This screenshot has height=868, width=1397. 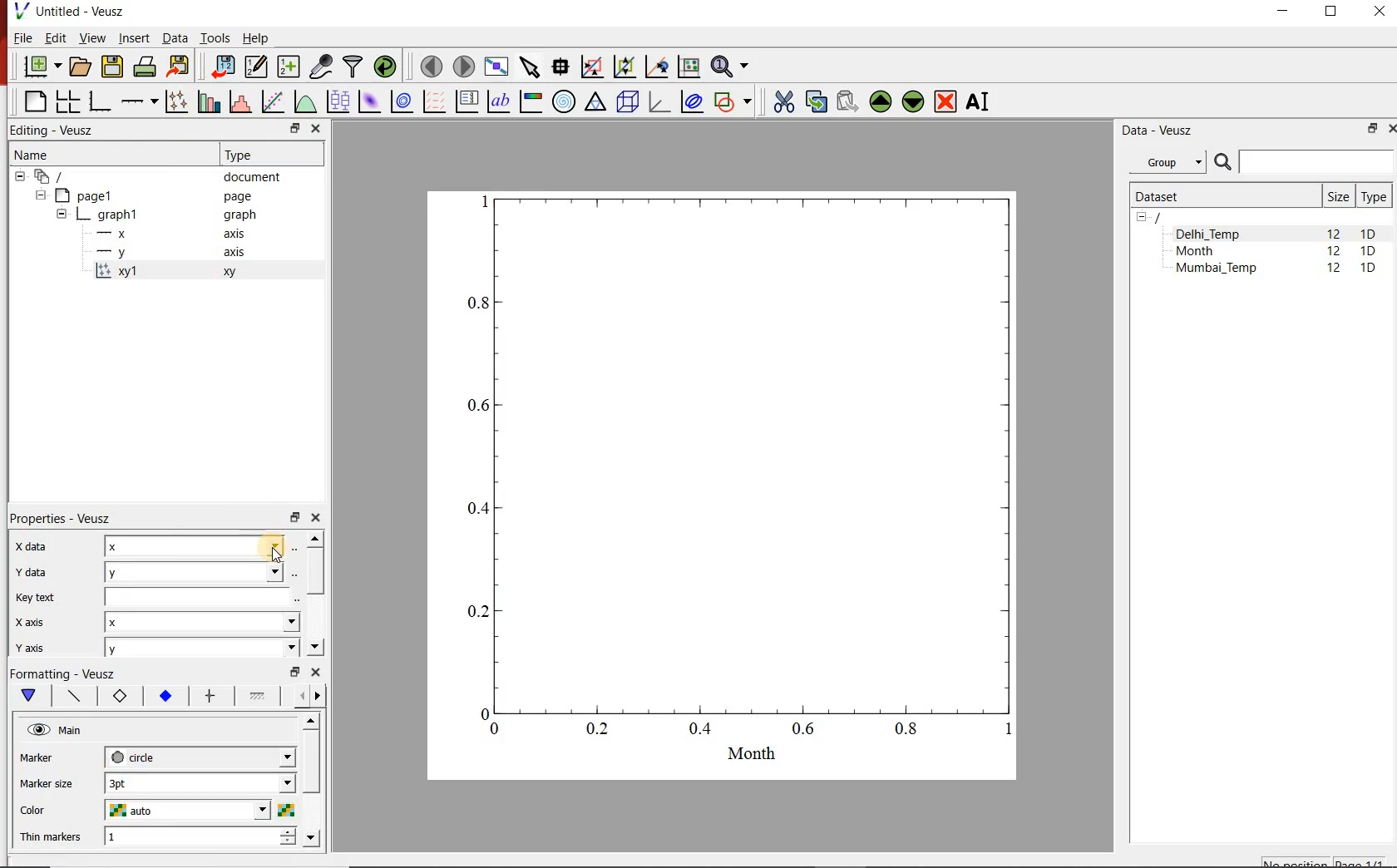 What do you see at coordinates (297, 671) in the screenshot?
I see `restore` at bounding box center [297, 671].